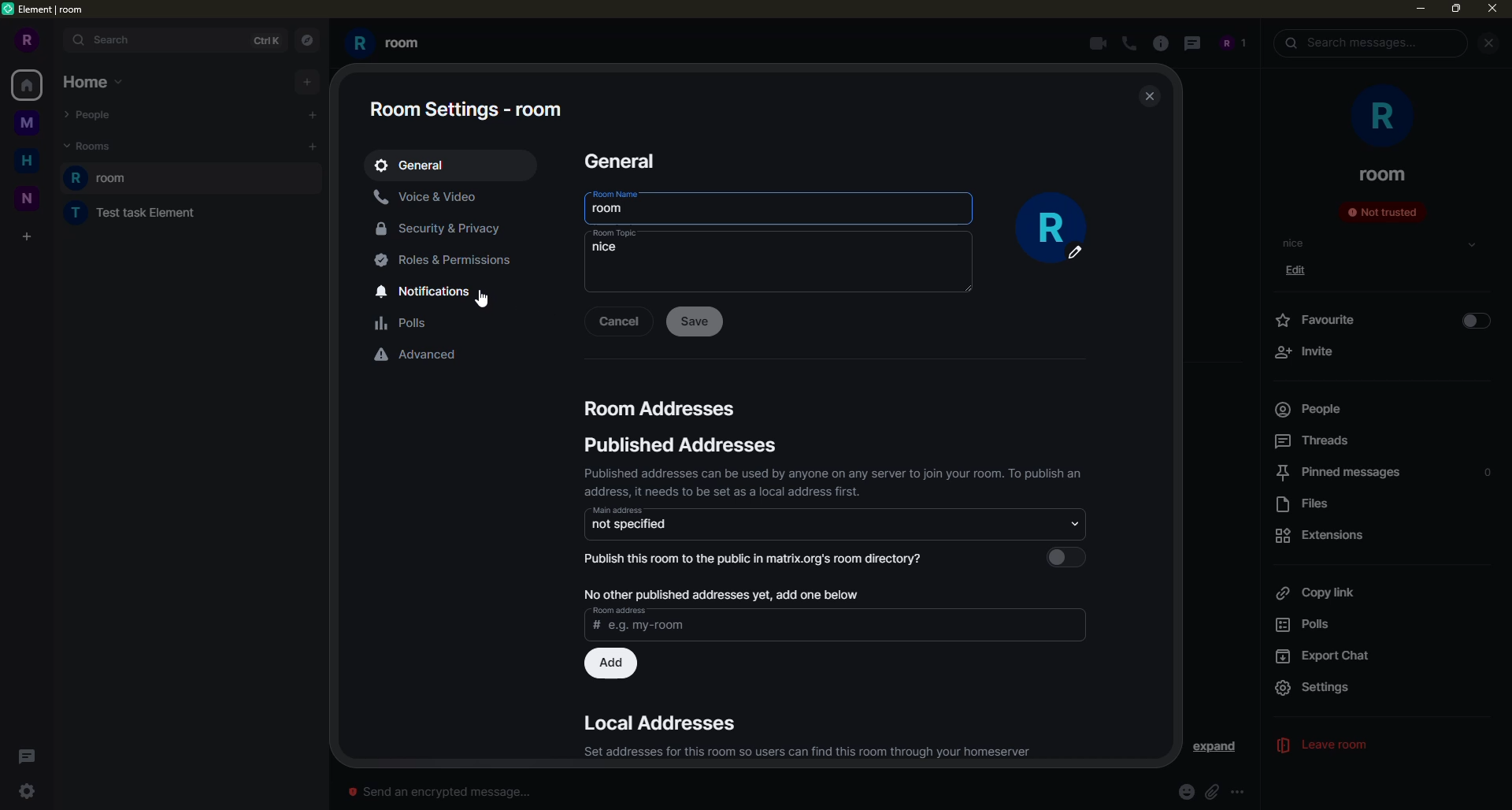 This screenshot has height=810, width=1512. I want to click on room R, so click(195, 178).